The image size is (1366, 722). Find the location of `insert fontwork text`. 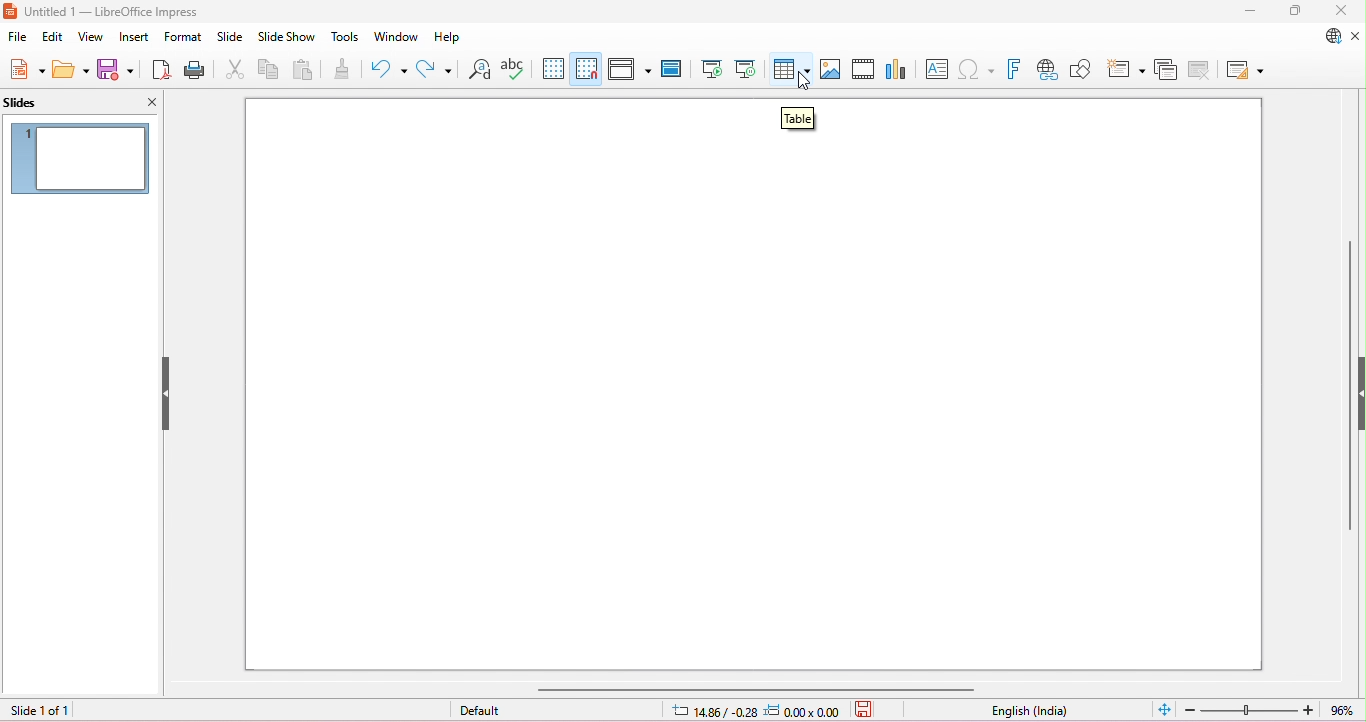

insert fontwork text is located at coordinates (1017, 69).